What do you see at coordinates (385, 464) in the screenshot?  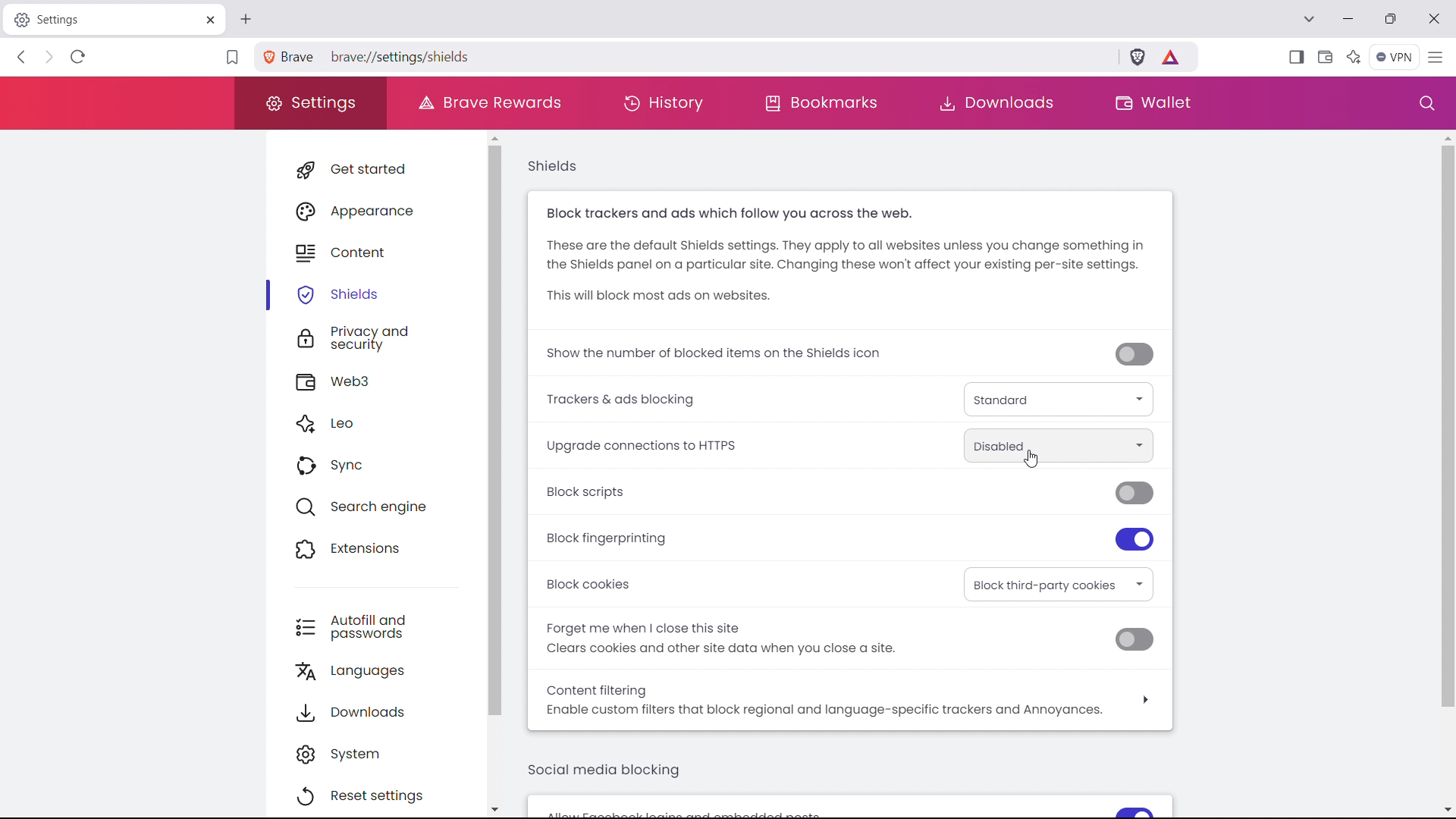 I see `sync` at bounding box center [385, 464].